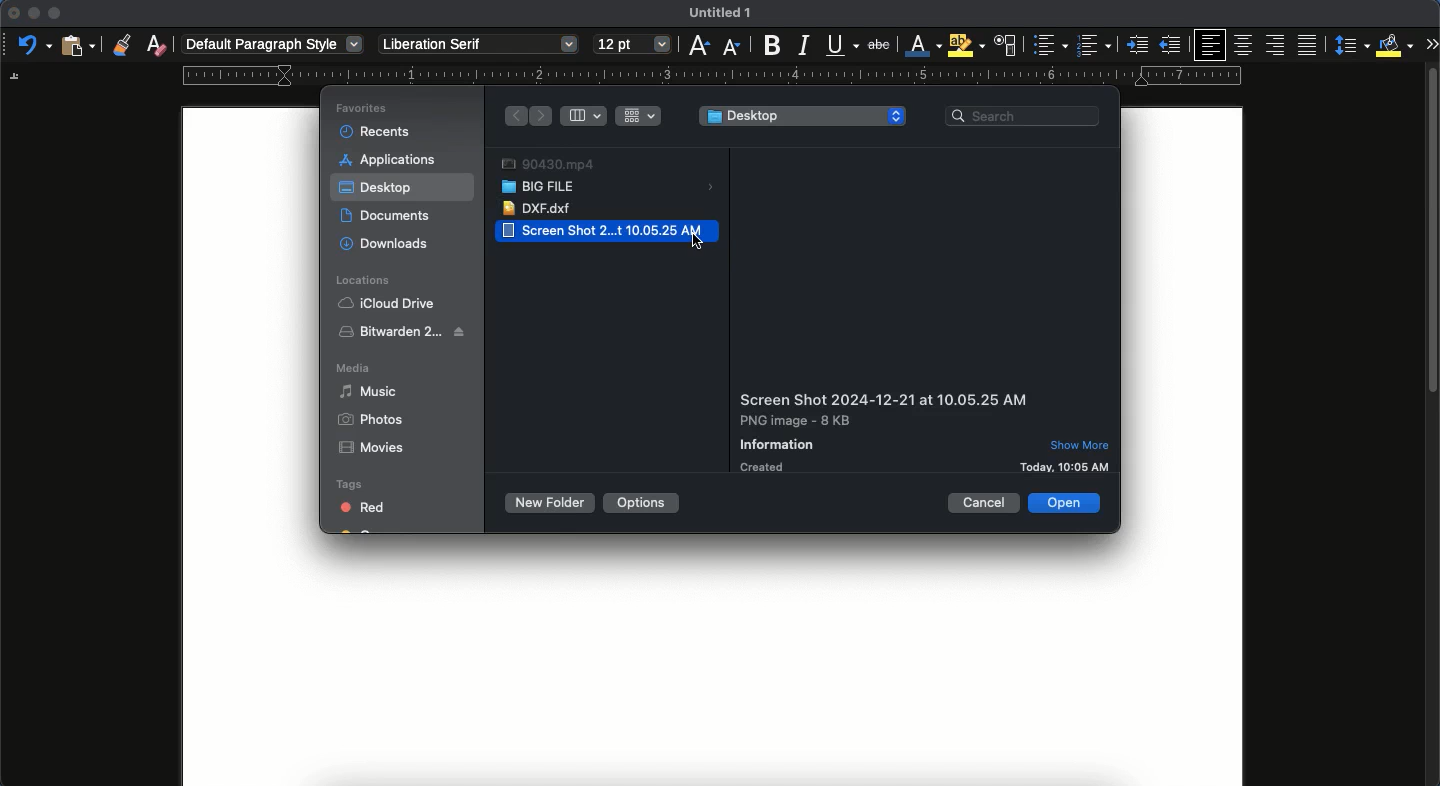  I want to click on guide, so click(711, 76).